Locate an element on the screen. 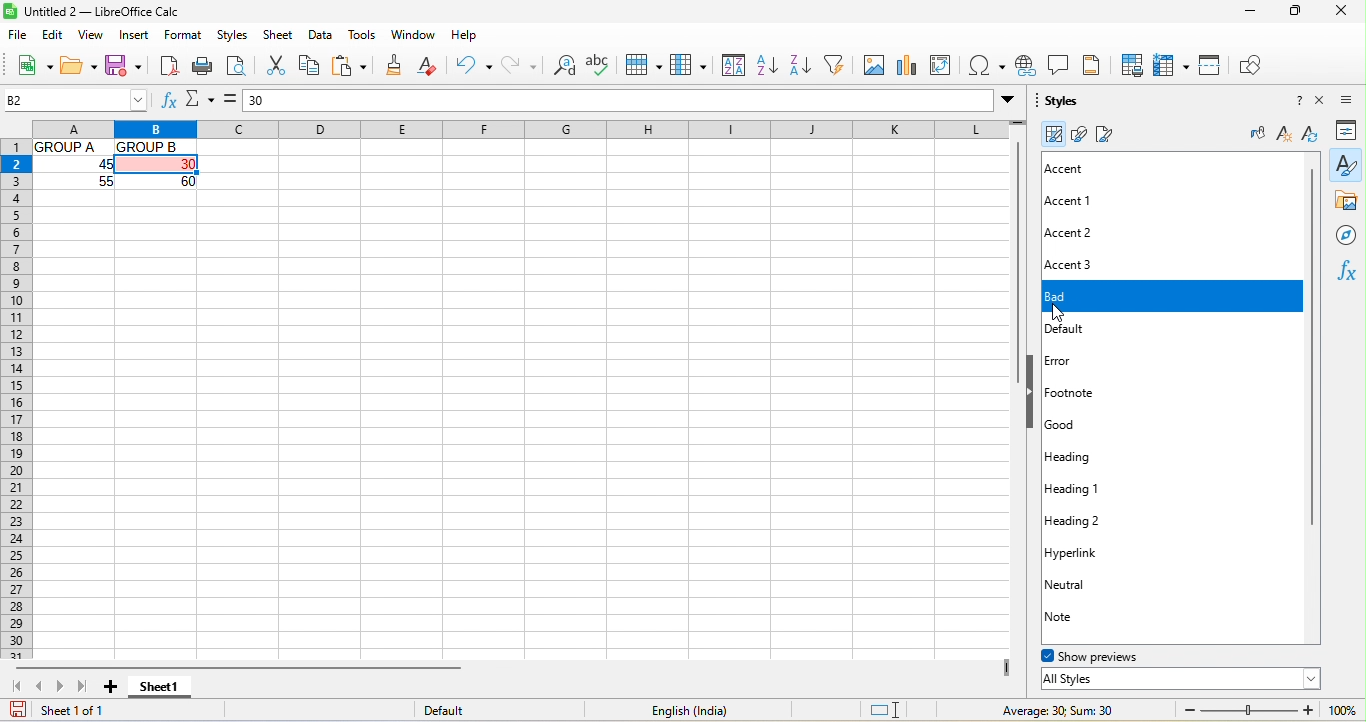  sort ascending is located at coordinates (770, 66).